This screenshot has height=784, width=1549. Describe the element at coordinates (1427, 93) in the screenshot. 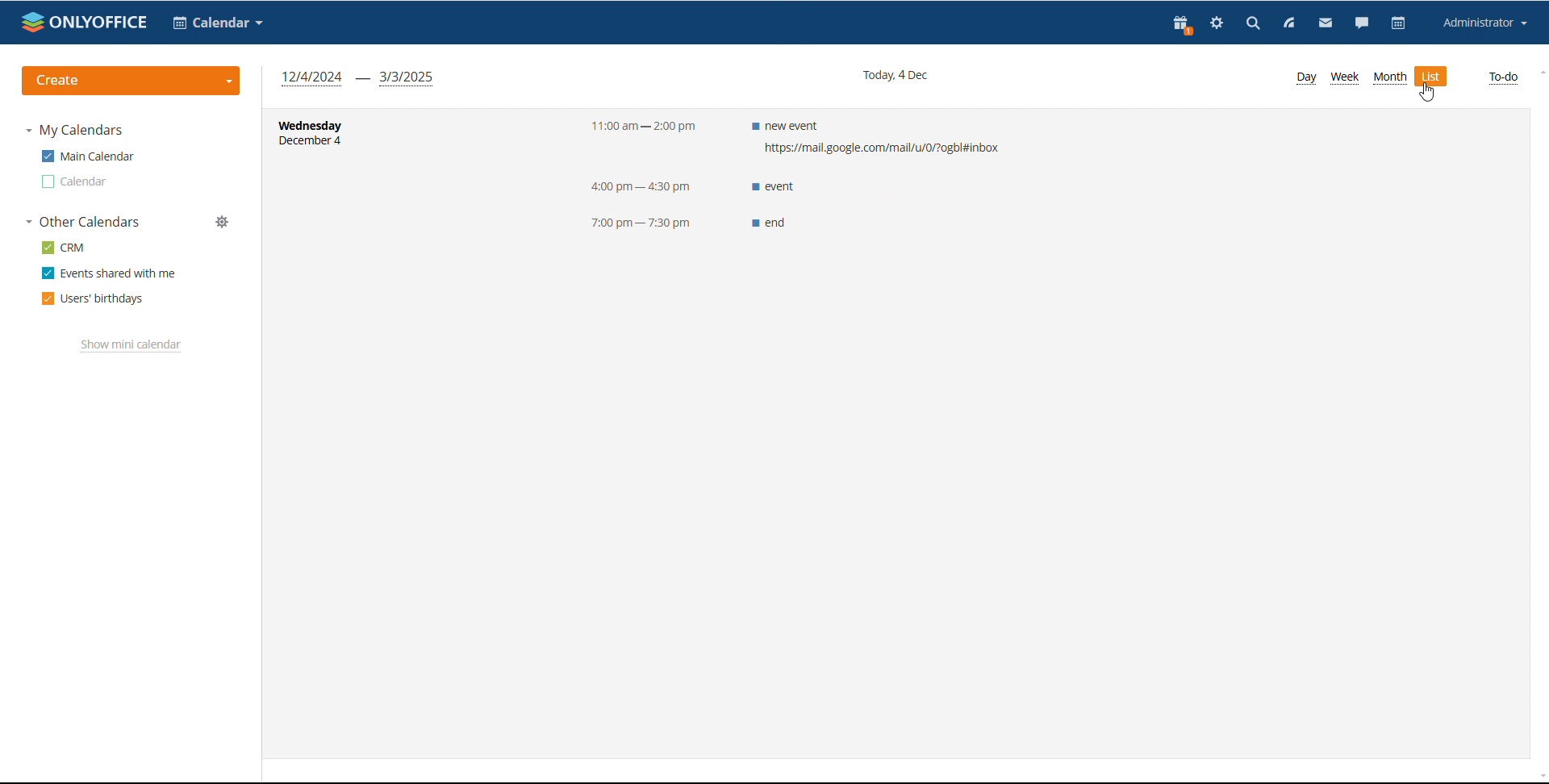

I see `cursor` at that location.